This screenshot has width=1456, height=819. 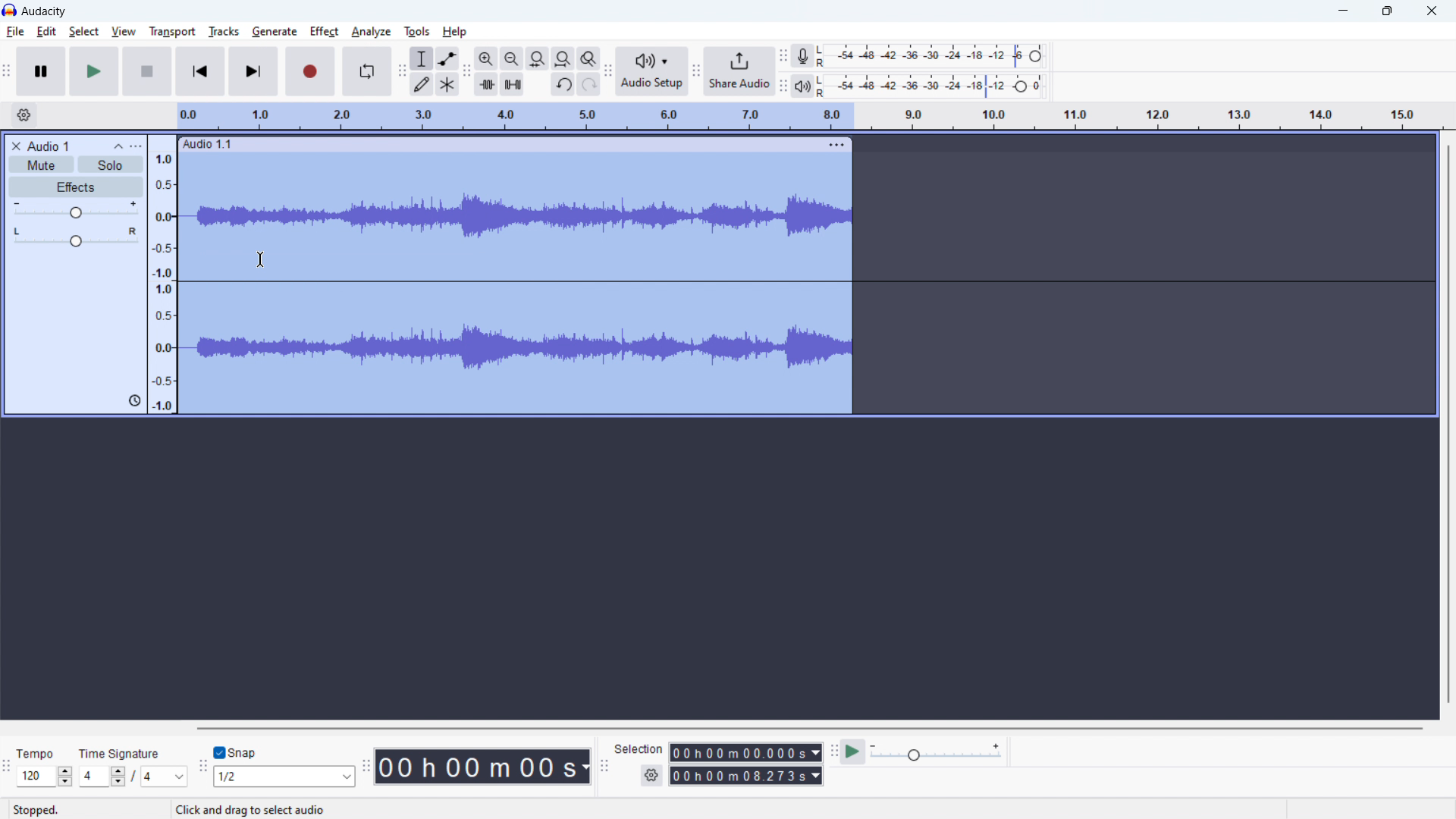 I want to click on maximize, so click(x=1387, y=11).